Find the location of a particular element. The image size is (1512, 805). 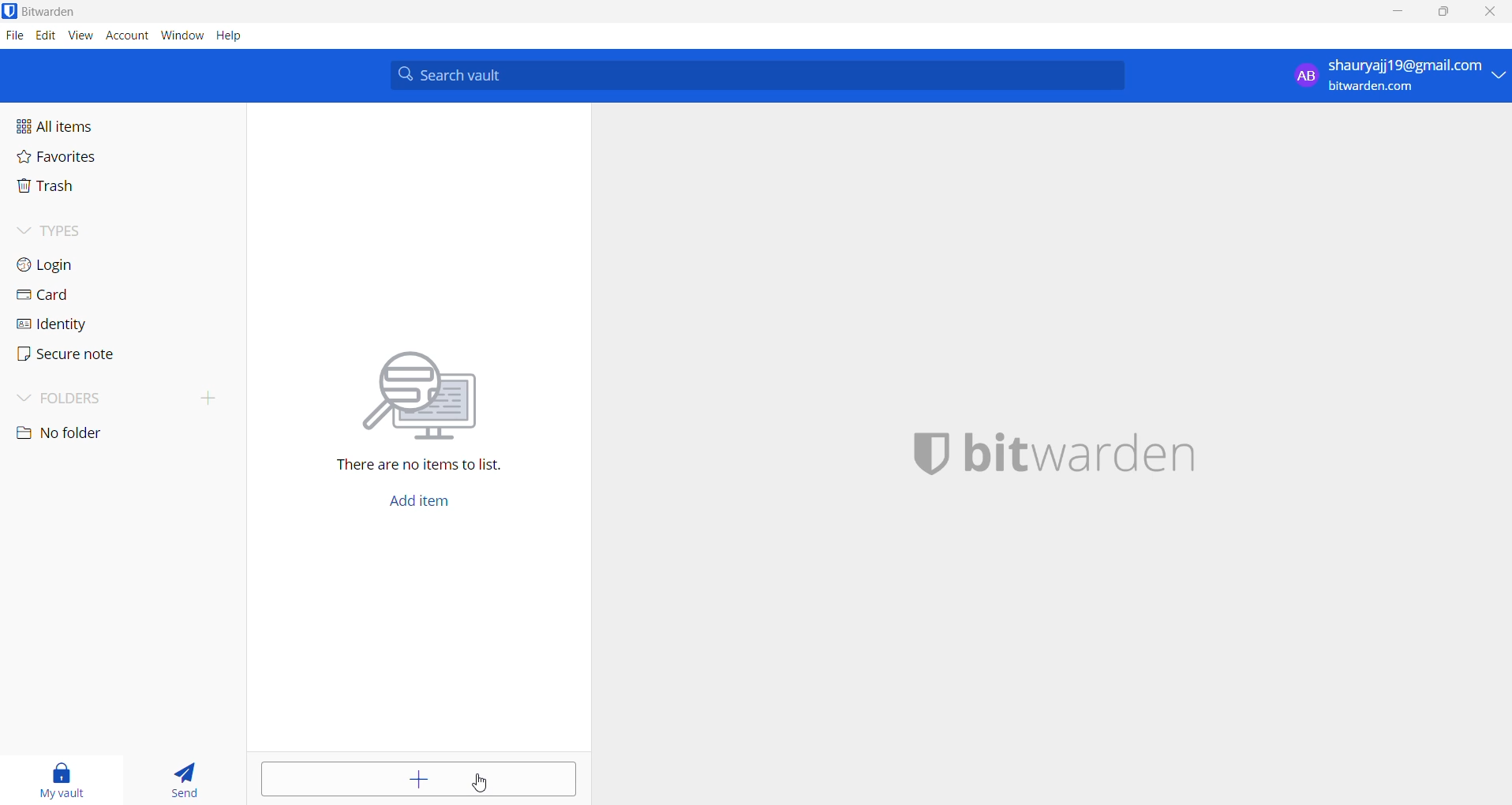

search bar is located at coordinates (757, 75).